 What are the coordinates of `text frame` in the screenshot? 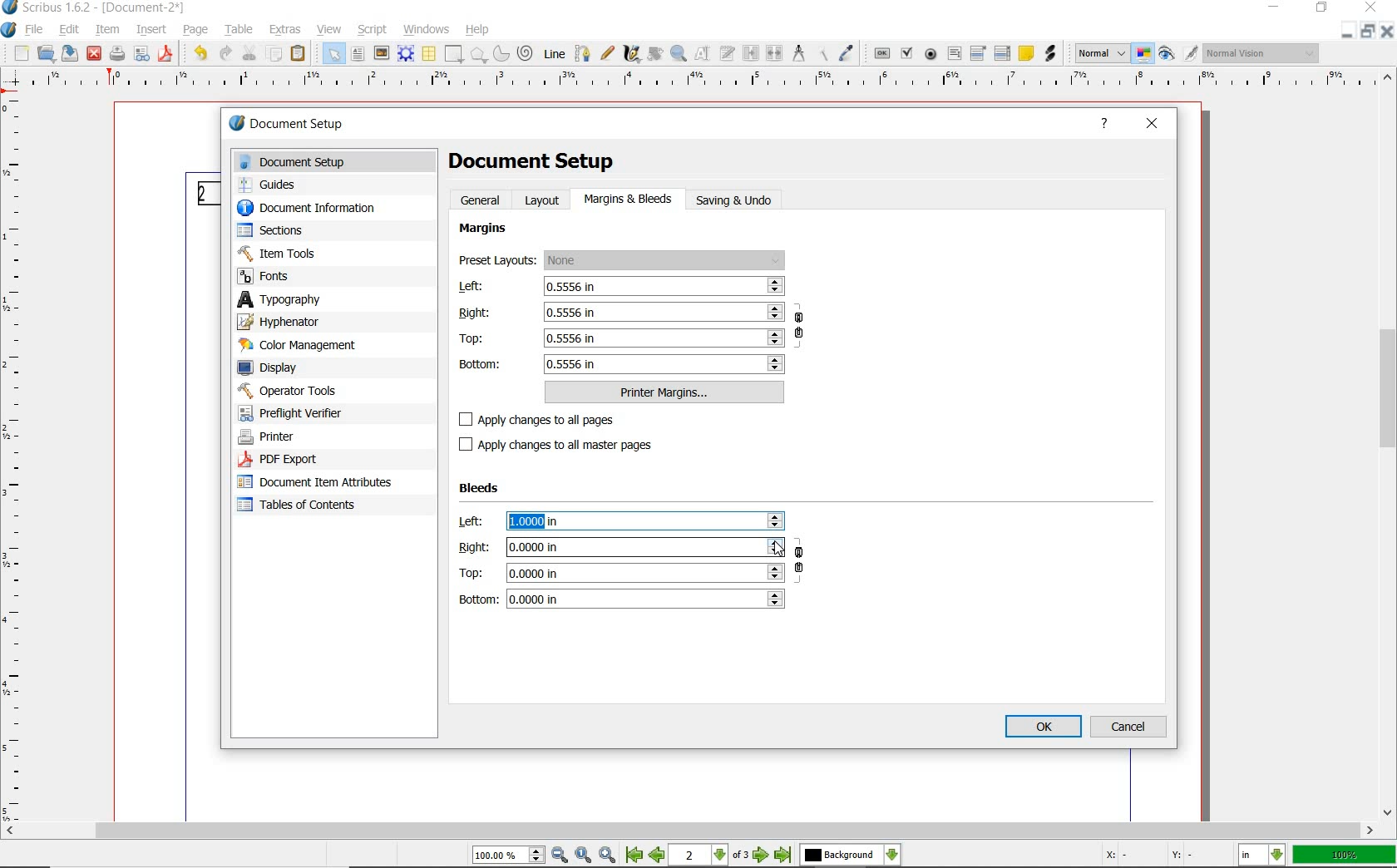 It's located at (358, 55).